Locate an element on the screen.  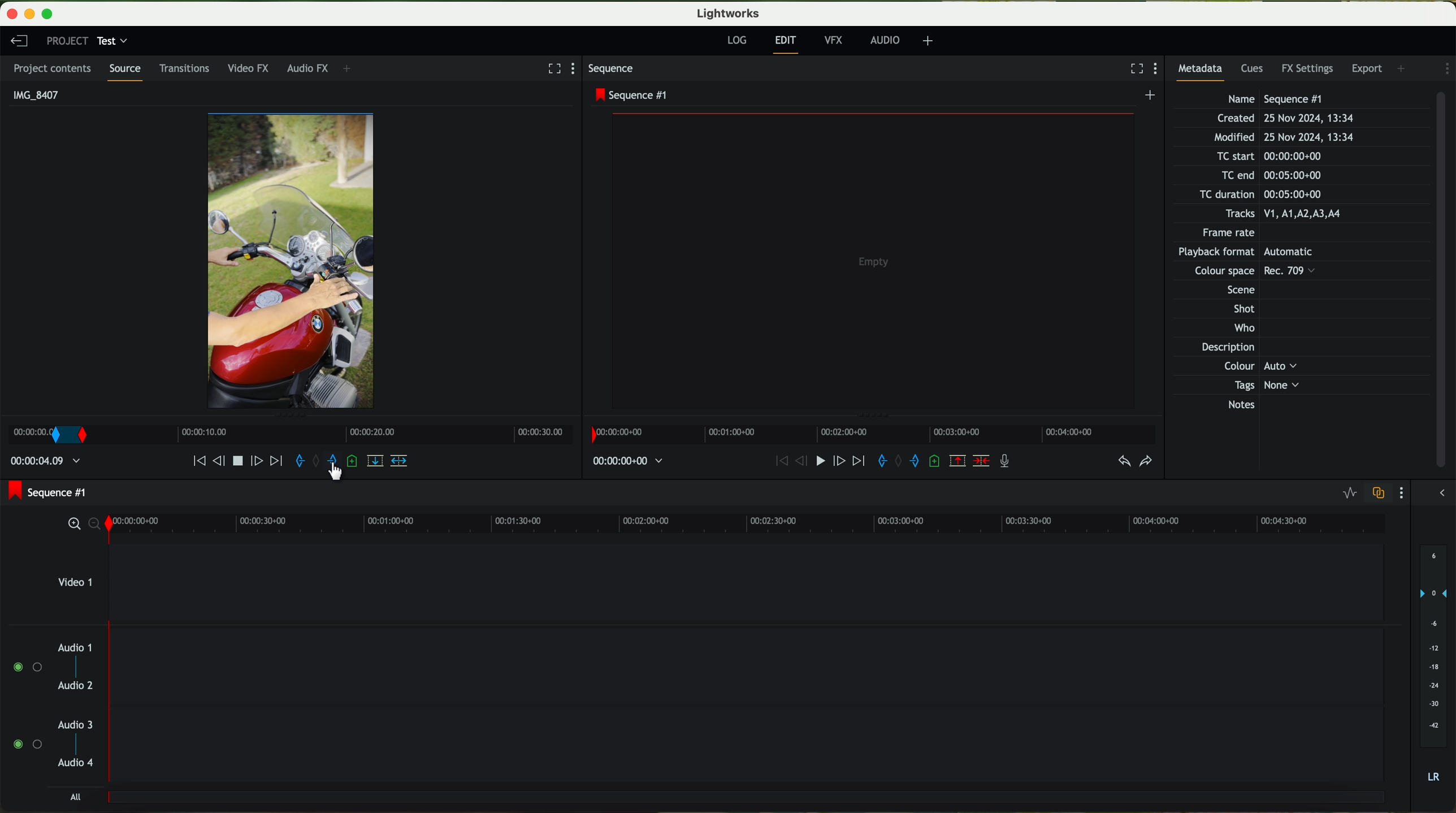
add an in mark is located at coordinates (877, 461).